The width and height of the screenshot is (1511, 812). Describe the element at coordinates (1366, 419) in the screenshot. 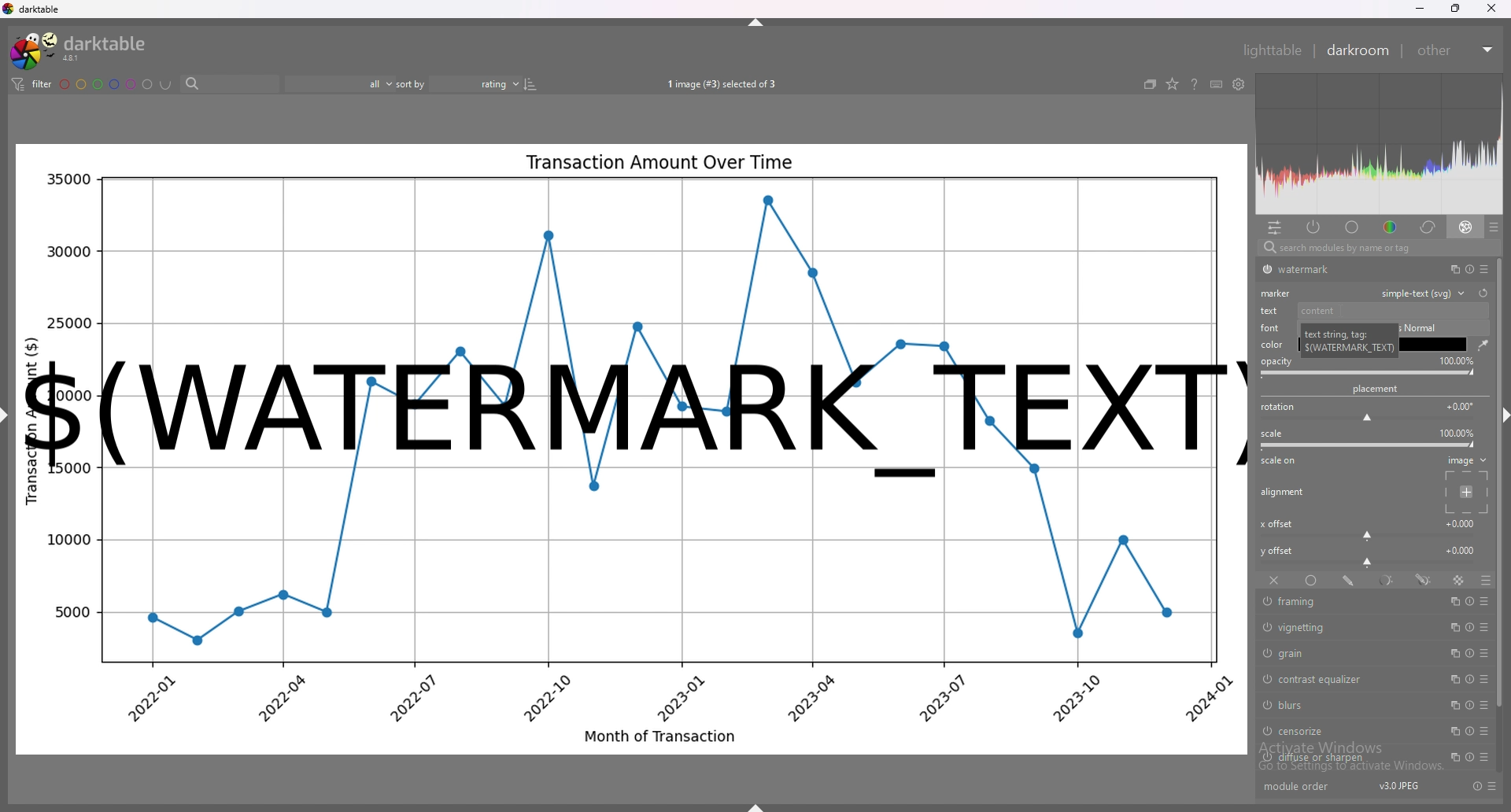

I see `rotation bar` at that location.